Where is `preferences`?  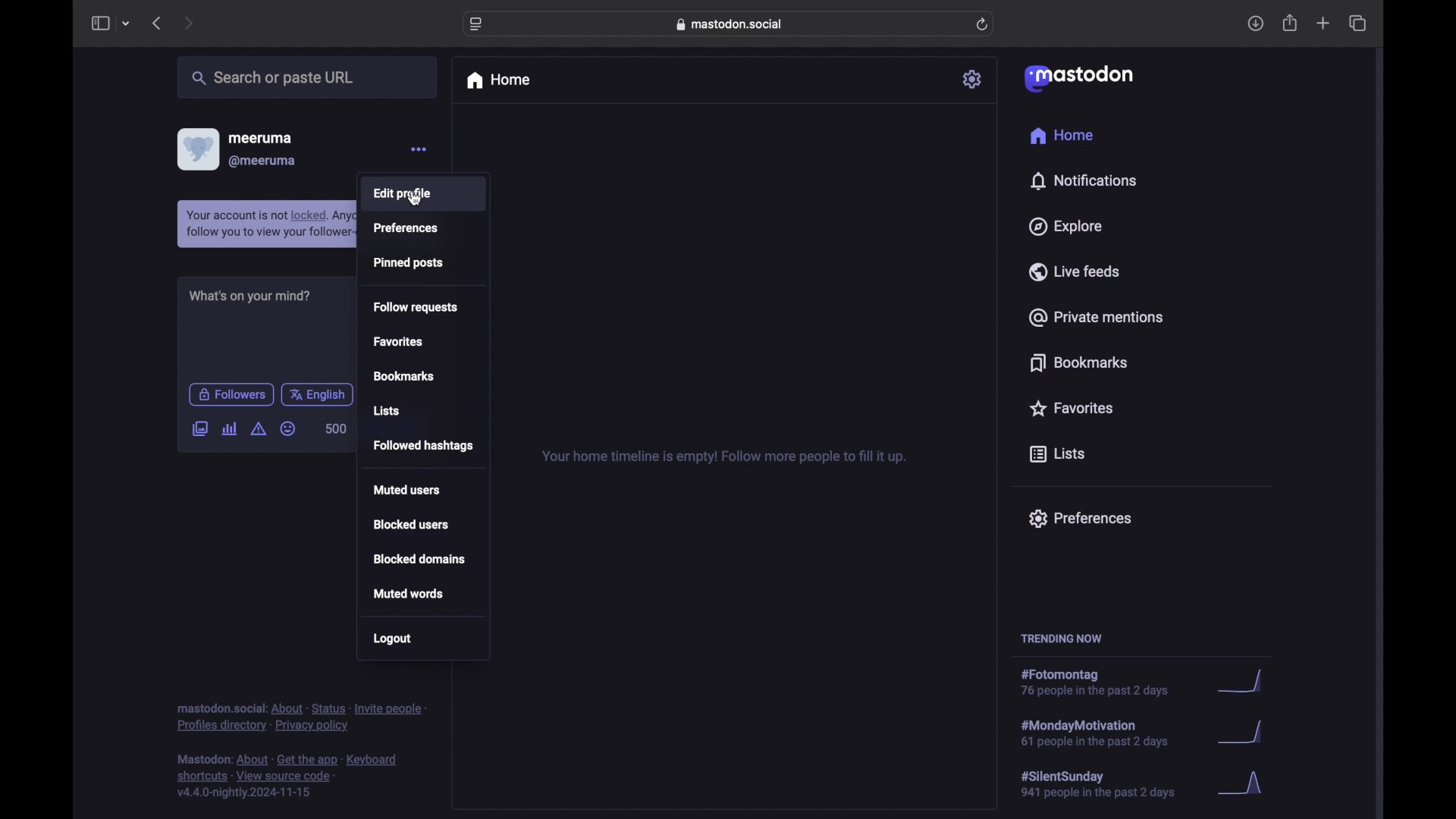 preferences is located at coordinates (1080, 519).